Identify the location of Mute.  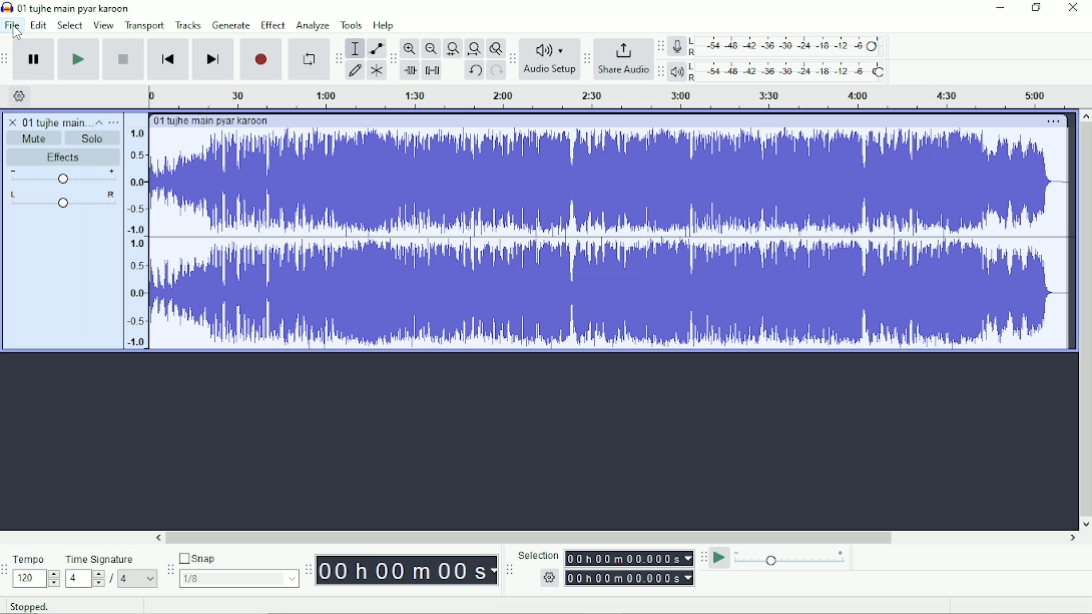
(33, 139).